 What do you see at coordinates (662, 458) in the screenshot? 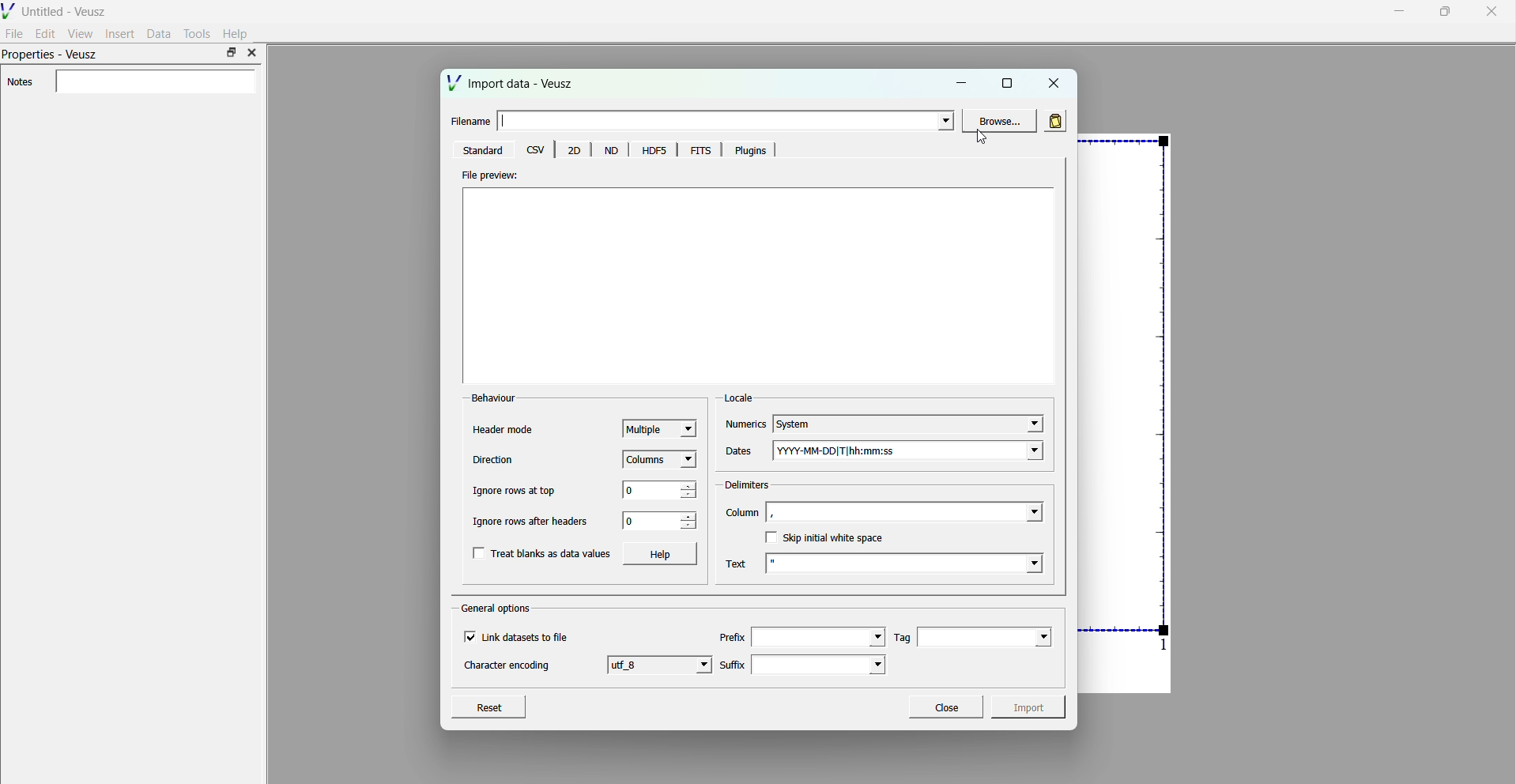
I see `Columns` at bounding box center [662, 458].